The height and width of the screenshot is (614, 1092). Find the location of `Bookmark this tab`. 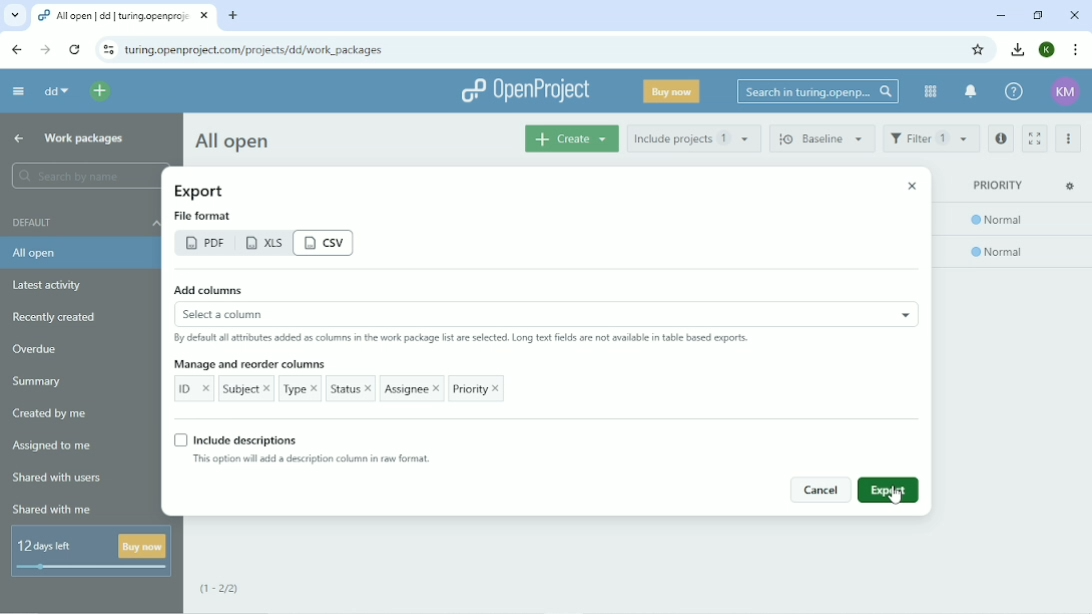

Bookmark this tab is located at coordinates (981, 49).